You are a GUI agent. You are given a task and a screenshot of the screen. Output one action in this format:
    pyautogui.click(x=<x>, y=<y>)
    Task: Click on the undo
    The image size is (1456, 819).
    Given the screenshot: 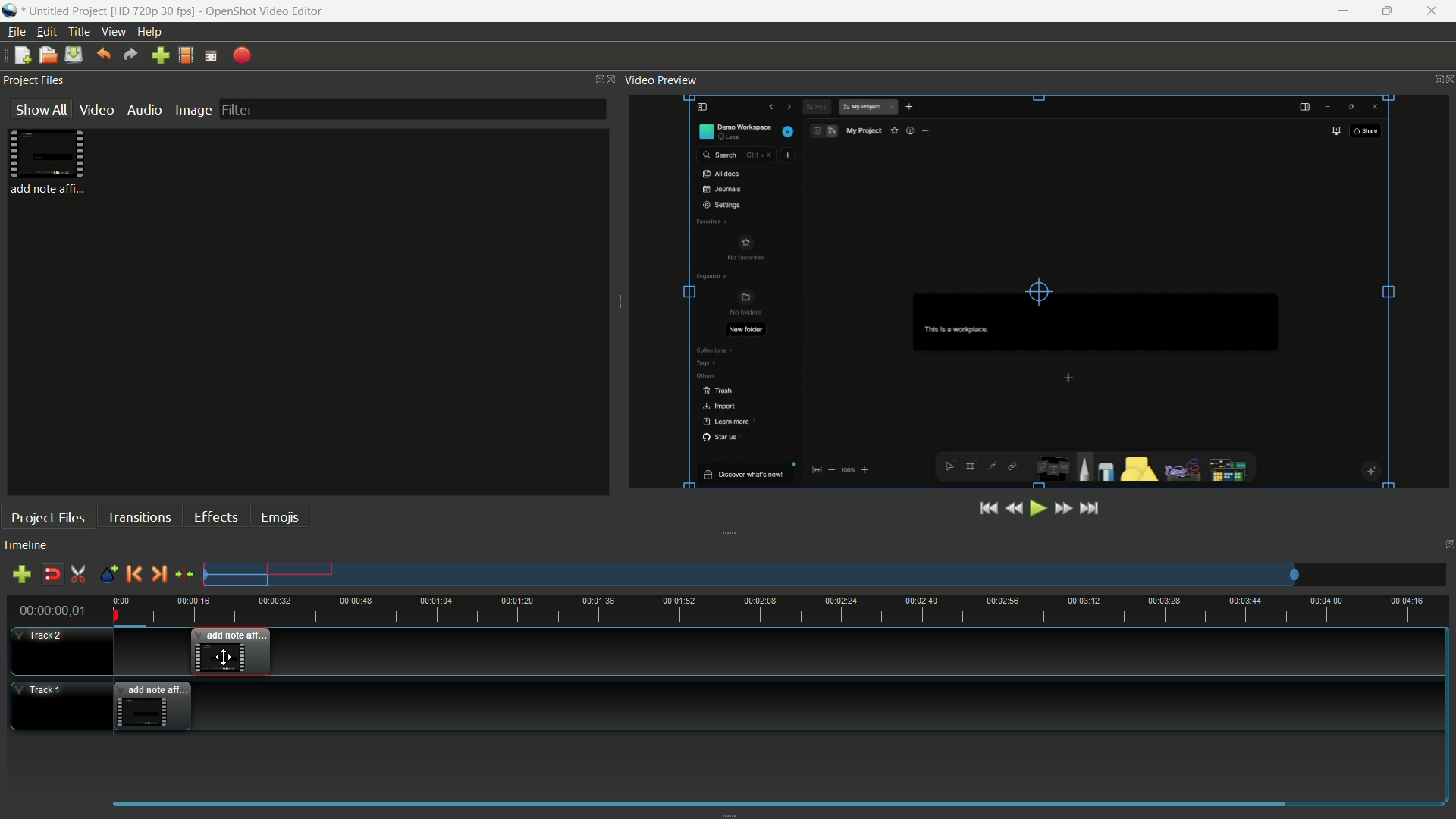 What is the action you would take?
    pyautogui.click(x=105, y=54)
    